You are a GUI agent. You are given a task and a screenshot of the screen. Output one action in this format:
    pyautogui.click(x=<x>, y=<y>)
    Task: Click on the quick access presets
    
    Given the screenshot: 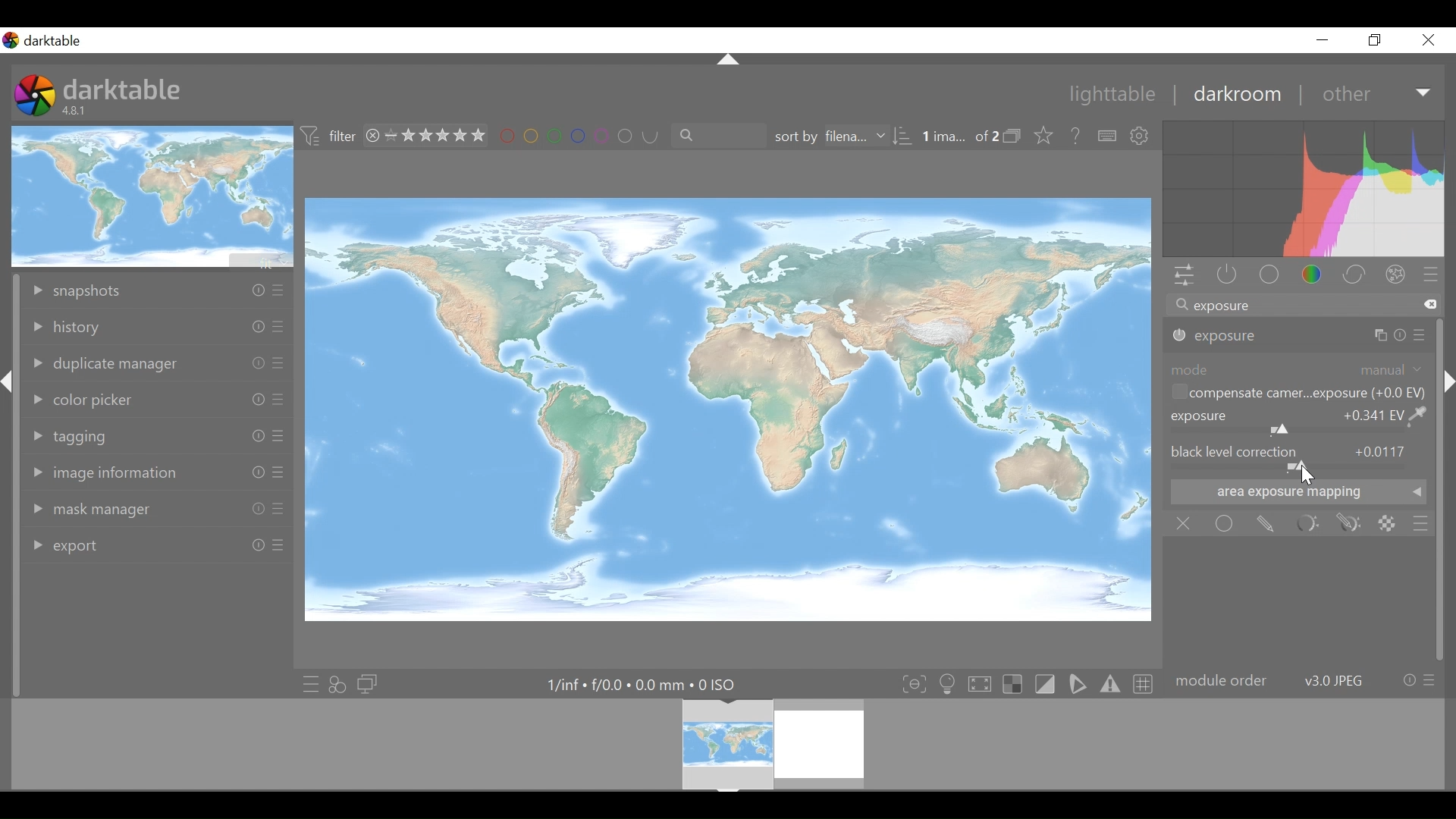 What is the action you would take?
    pyautogui.click(x=306, y=683)
    